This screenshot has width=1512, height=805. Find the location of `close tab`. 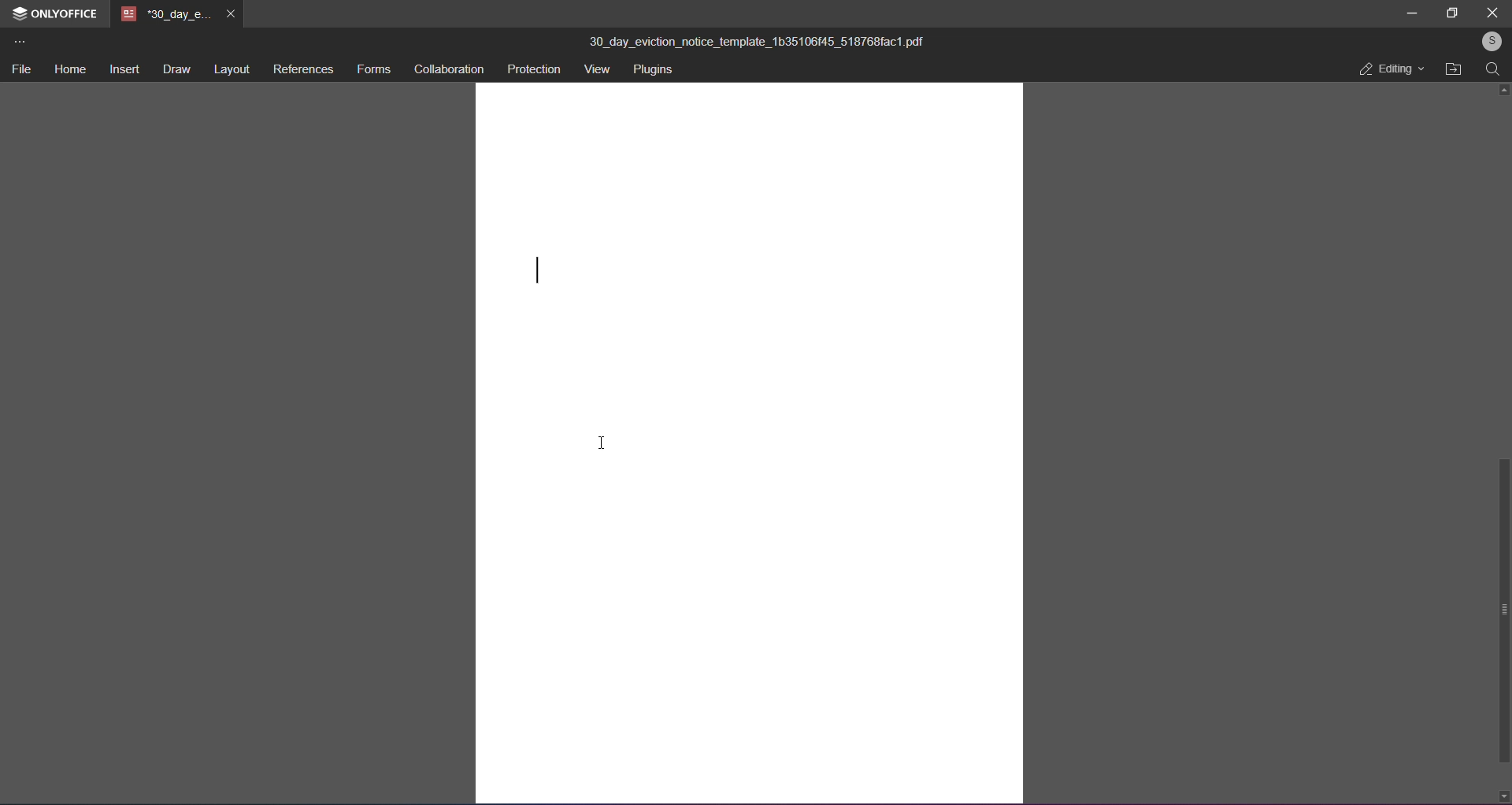

close tab is located at coordinates (229, 15).